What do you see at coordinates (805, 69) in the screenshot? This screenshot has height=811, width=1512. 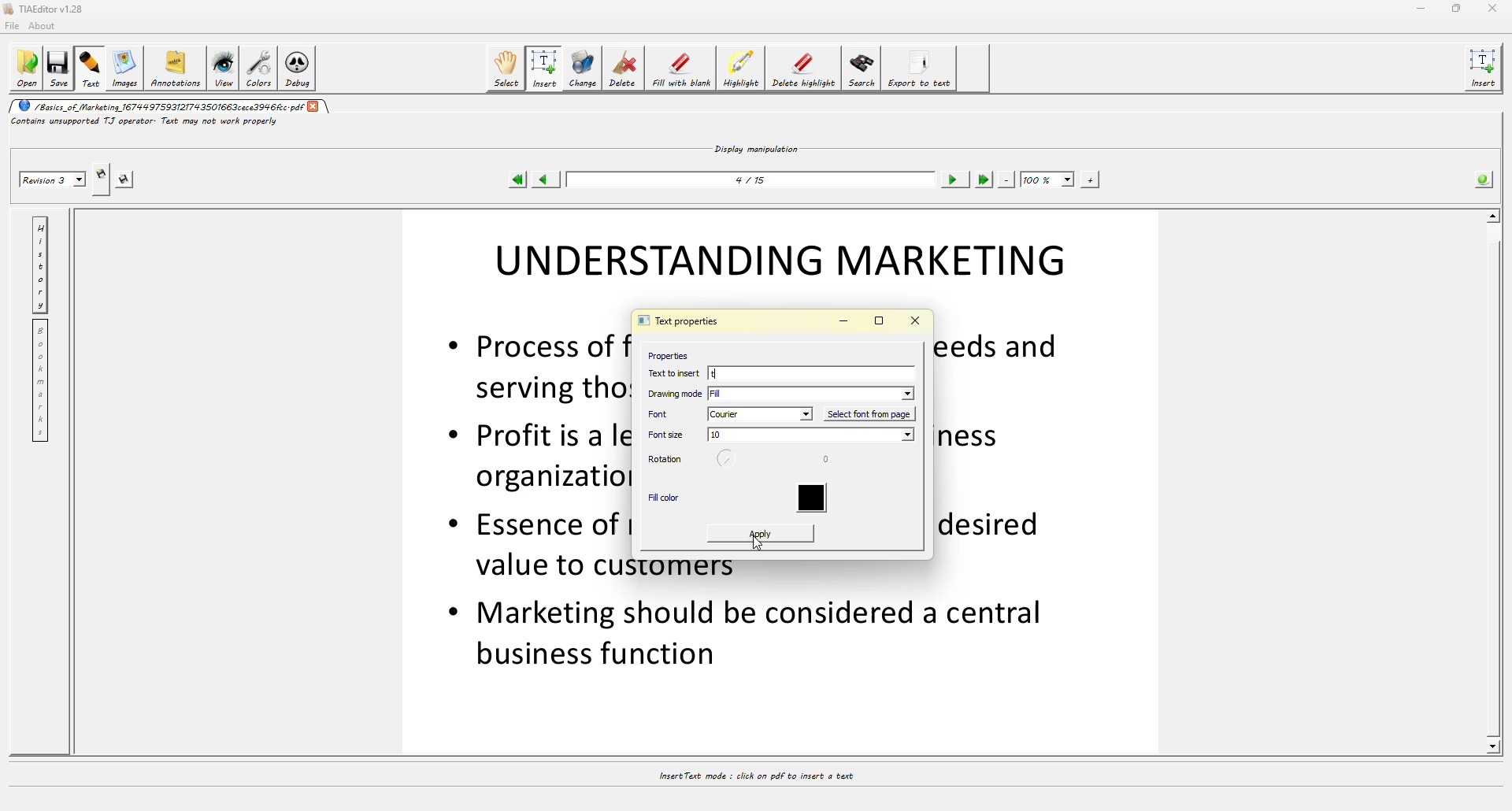 I see `delete highlight` at bounding box center [805, 69].